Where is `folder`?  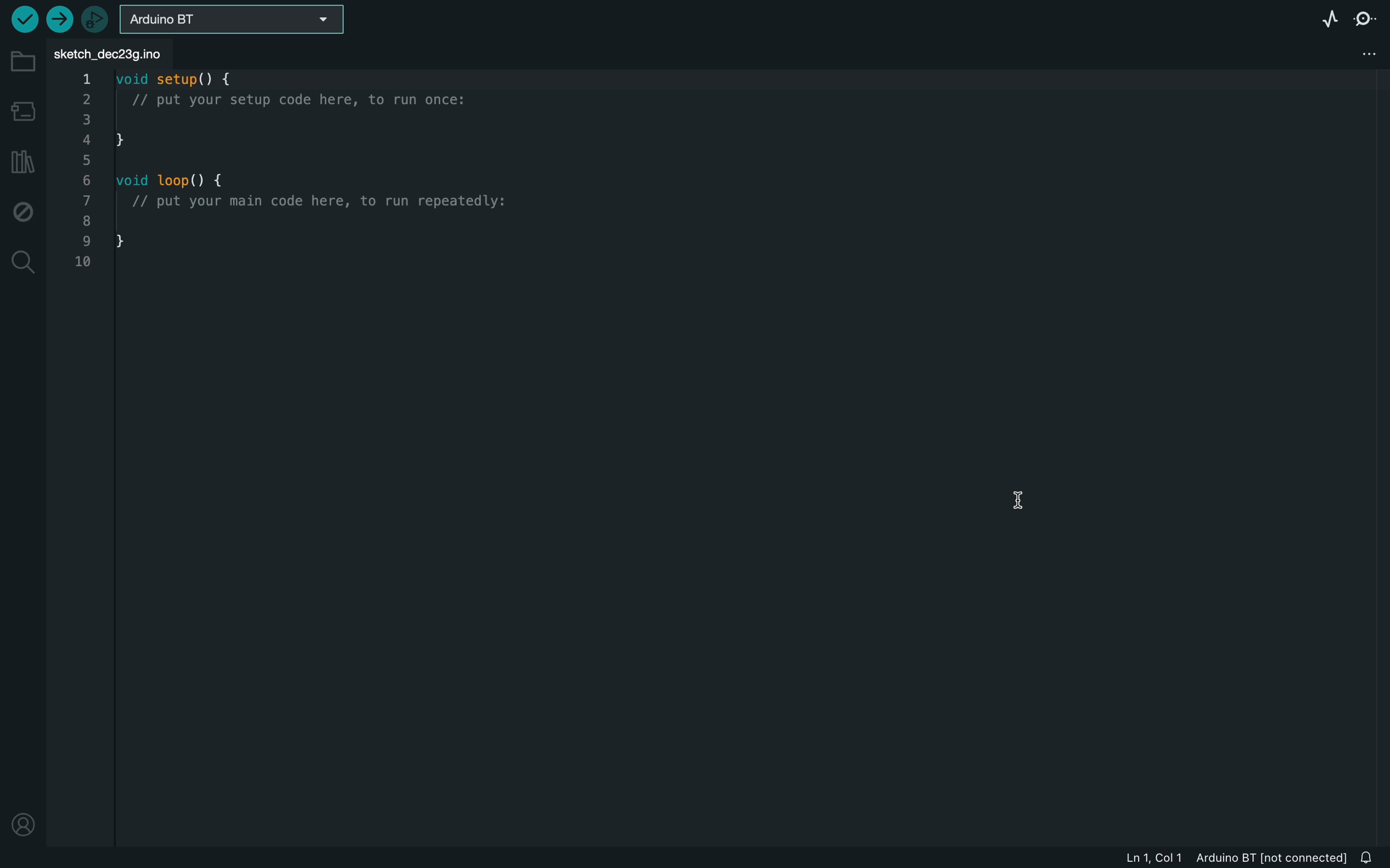 folder is located at coordinates (23, 61).